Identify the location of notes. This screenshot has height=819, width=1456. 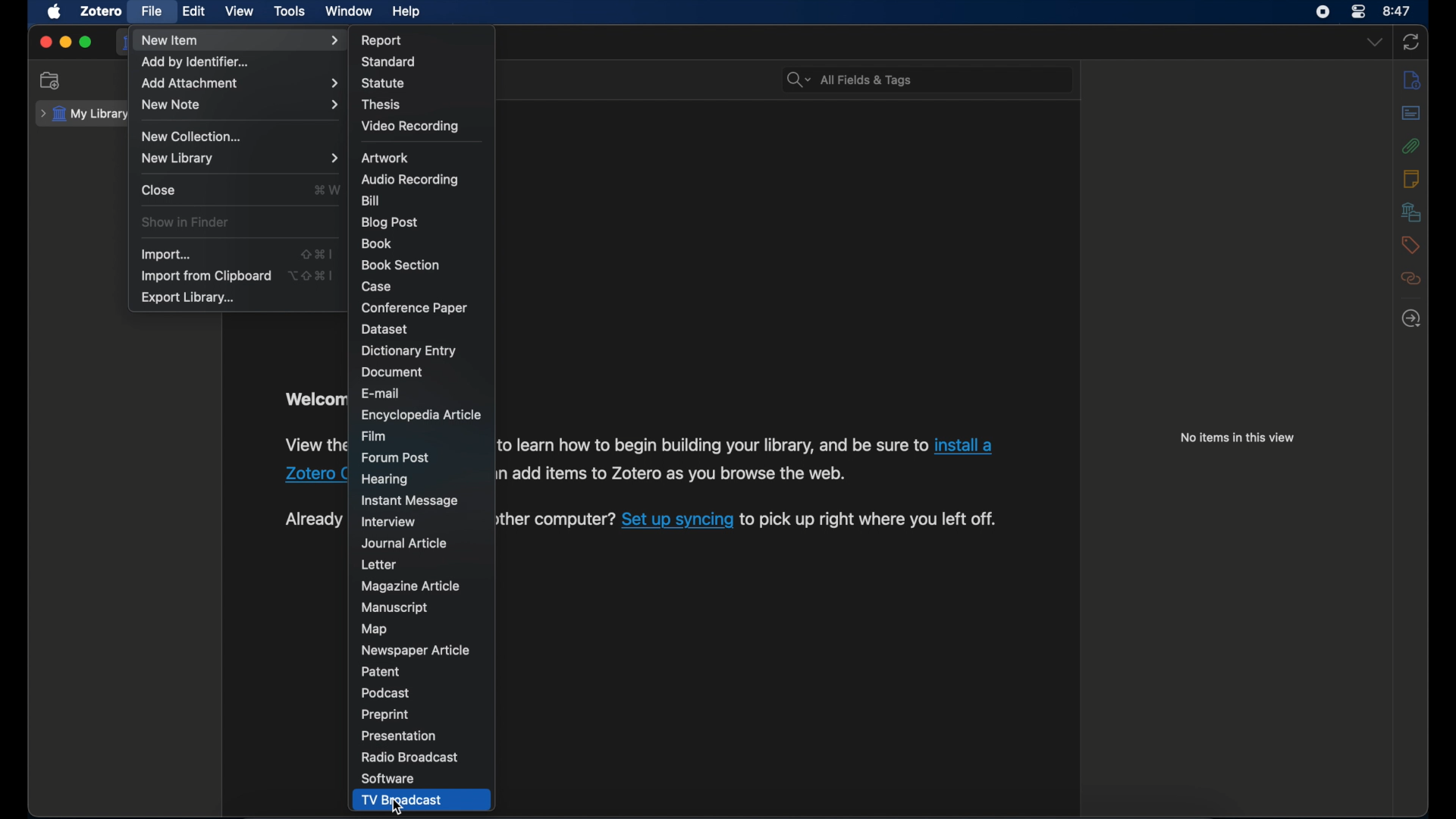
(1410, 178).